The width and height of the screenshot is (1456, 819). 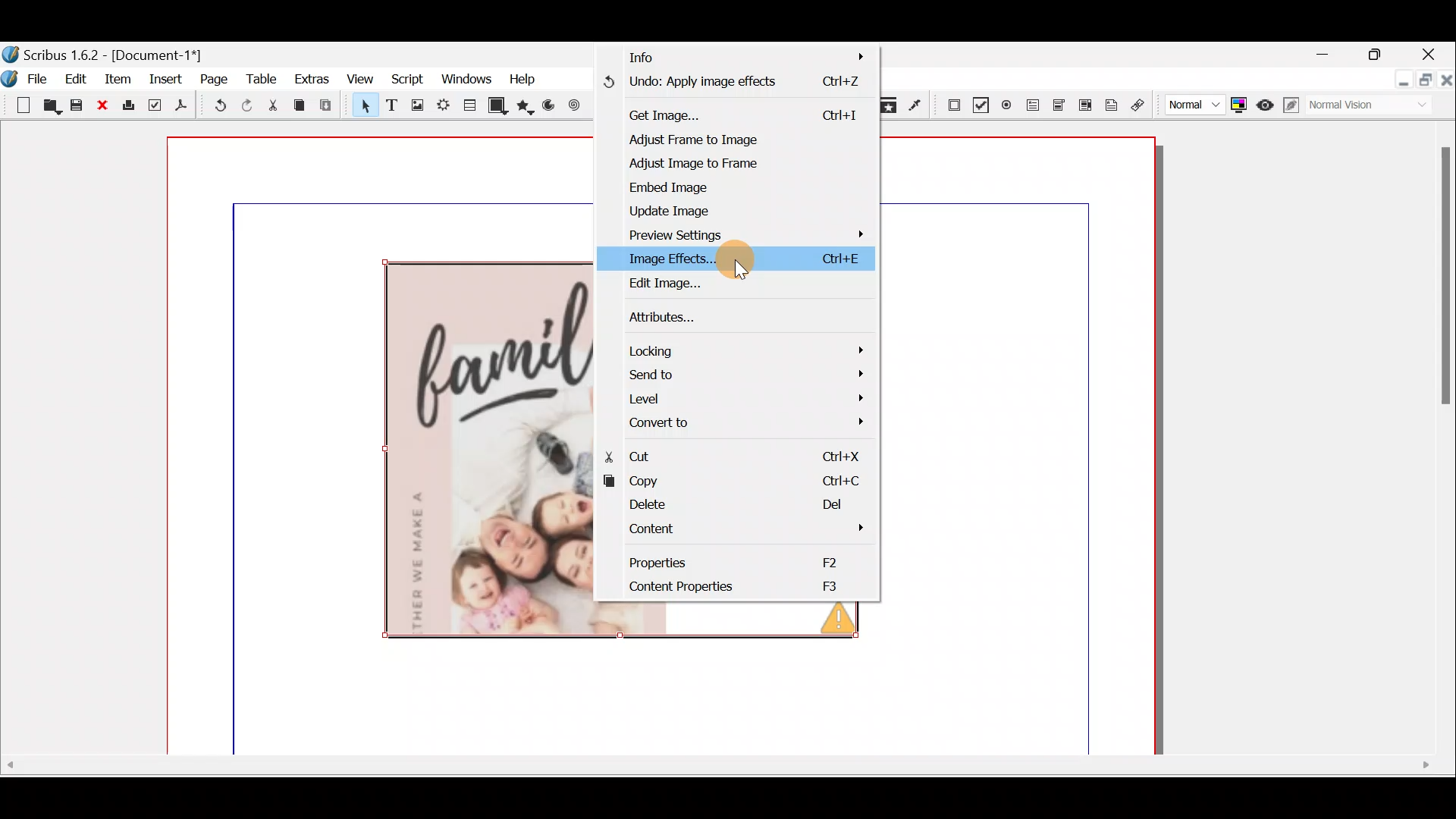 I want to click on Properties, so click(x=748, y=563).